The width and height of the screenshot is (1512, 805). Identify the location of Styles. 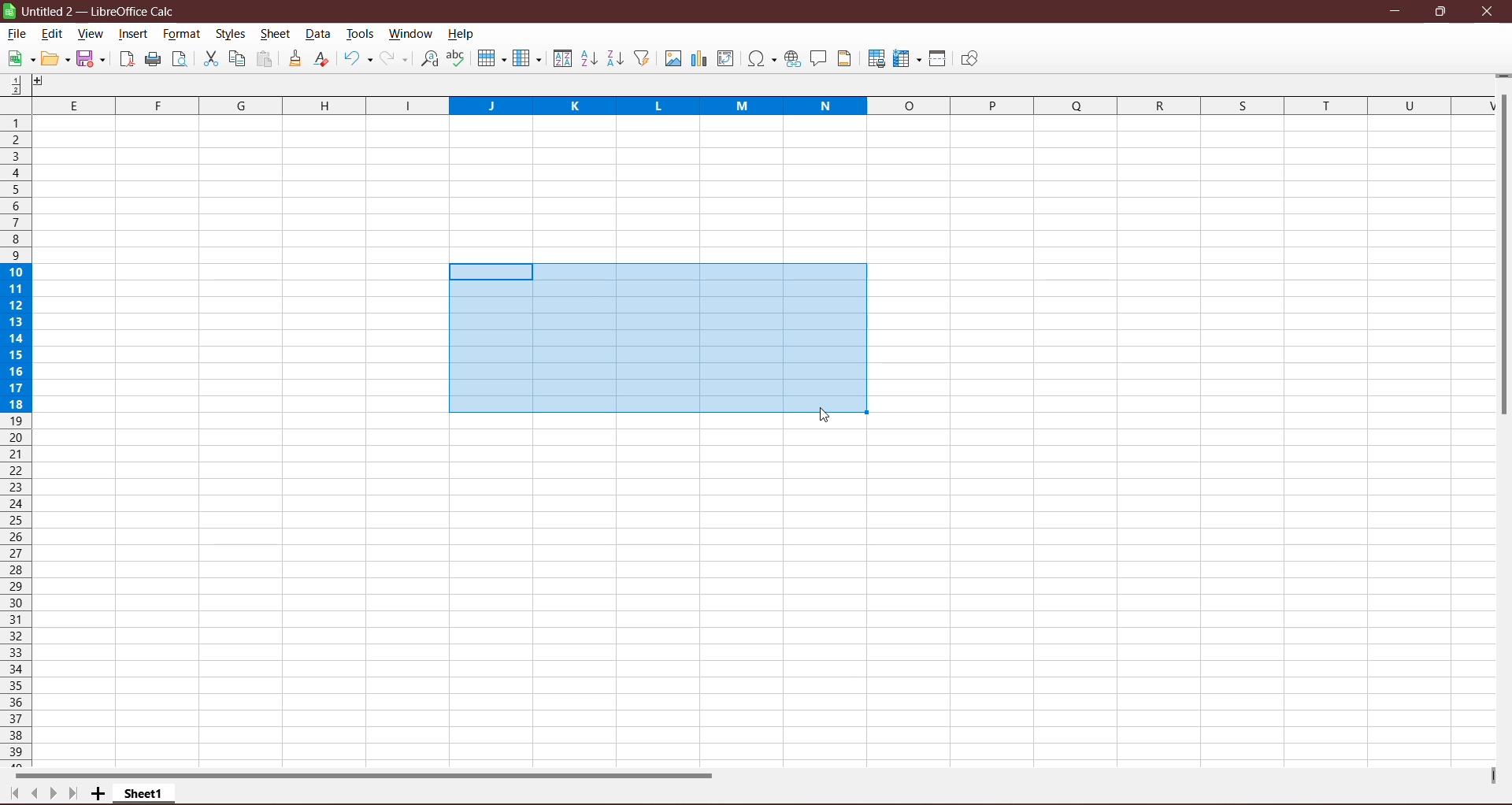
(232, 35).